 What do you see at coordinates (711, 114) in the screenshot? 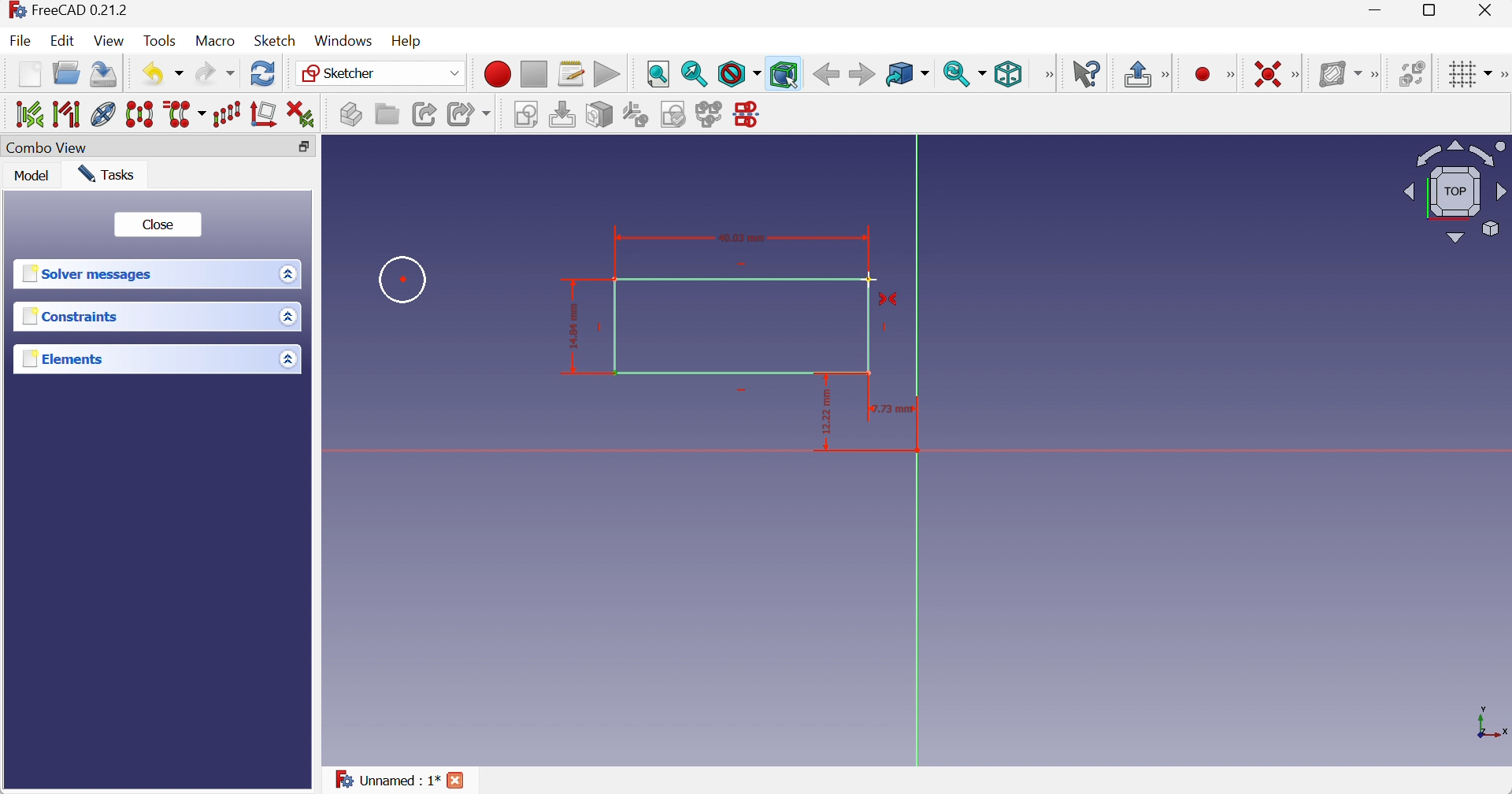
I see `Merge sketches` at bounding box center [711, 114].